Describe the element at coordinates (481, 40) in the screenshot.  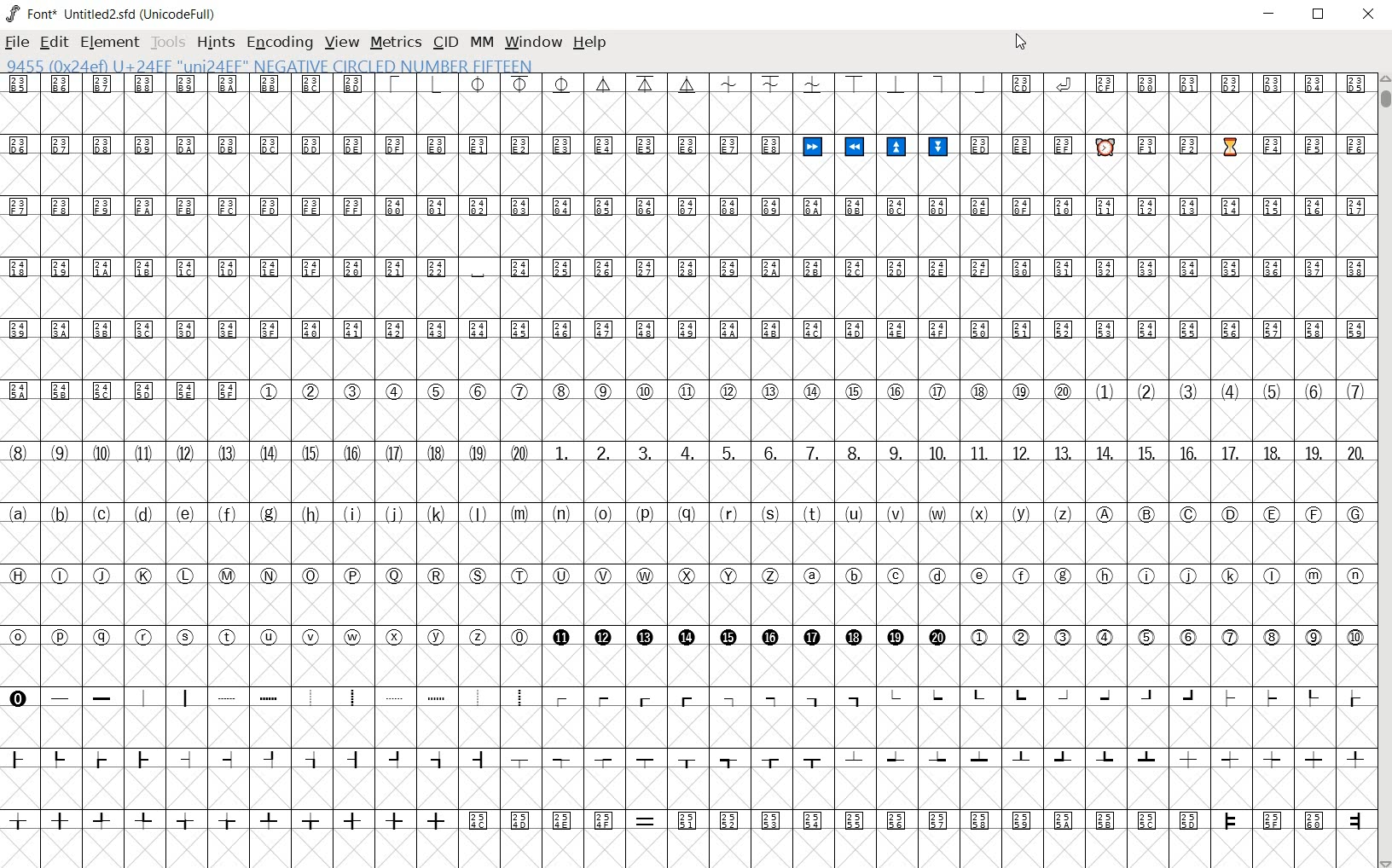
I see `MM` at that location.